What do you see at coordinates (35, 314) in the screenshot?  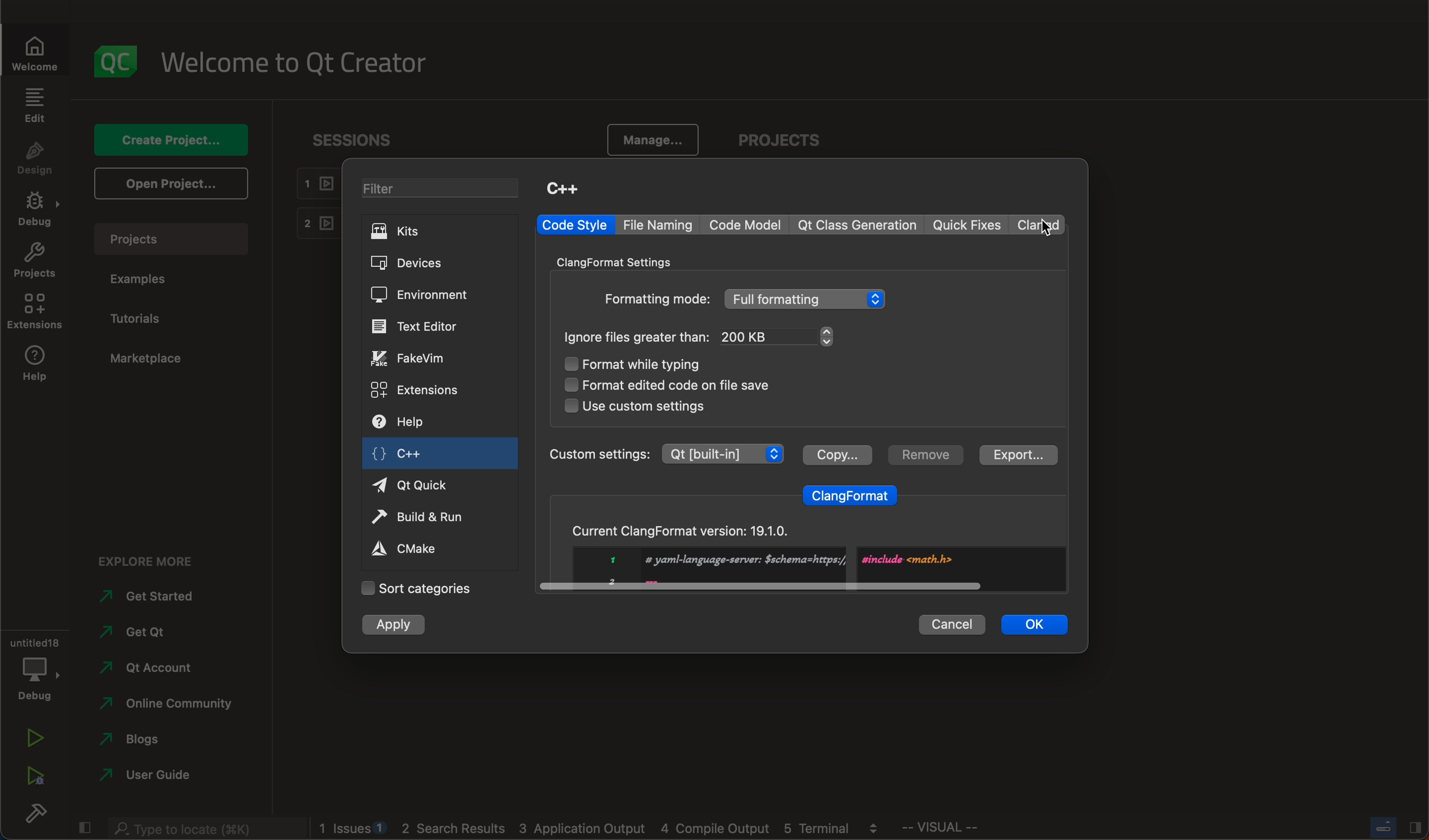 I see `extensions` at bounding box center [35, 314].